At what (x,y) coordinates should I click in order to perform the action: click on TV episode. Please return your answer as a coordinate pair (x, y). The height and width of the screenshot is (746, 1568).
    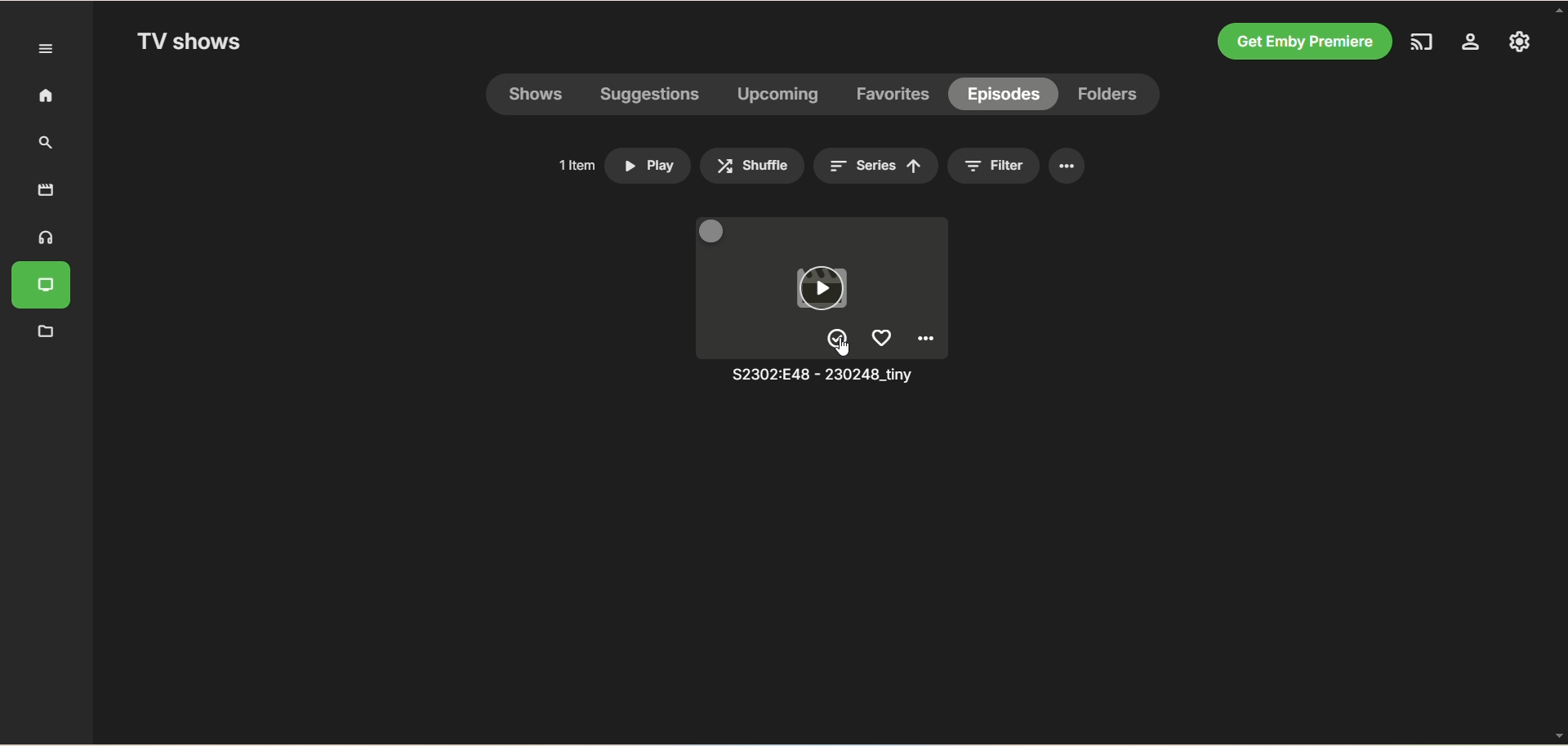
    Looking at the image, I should click on (827, 286).